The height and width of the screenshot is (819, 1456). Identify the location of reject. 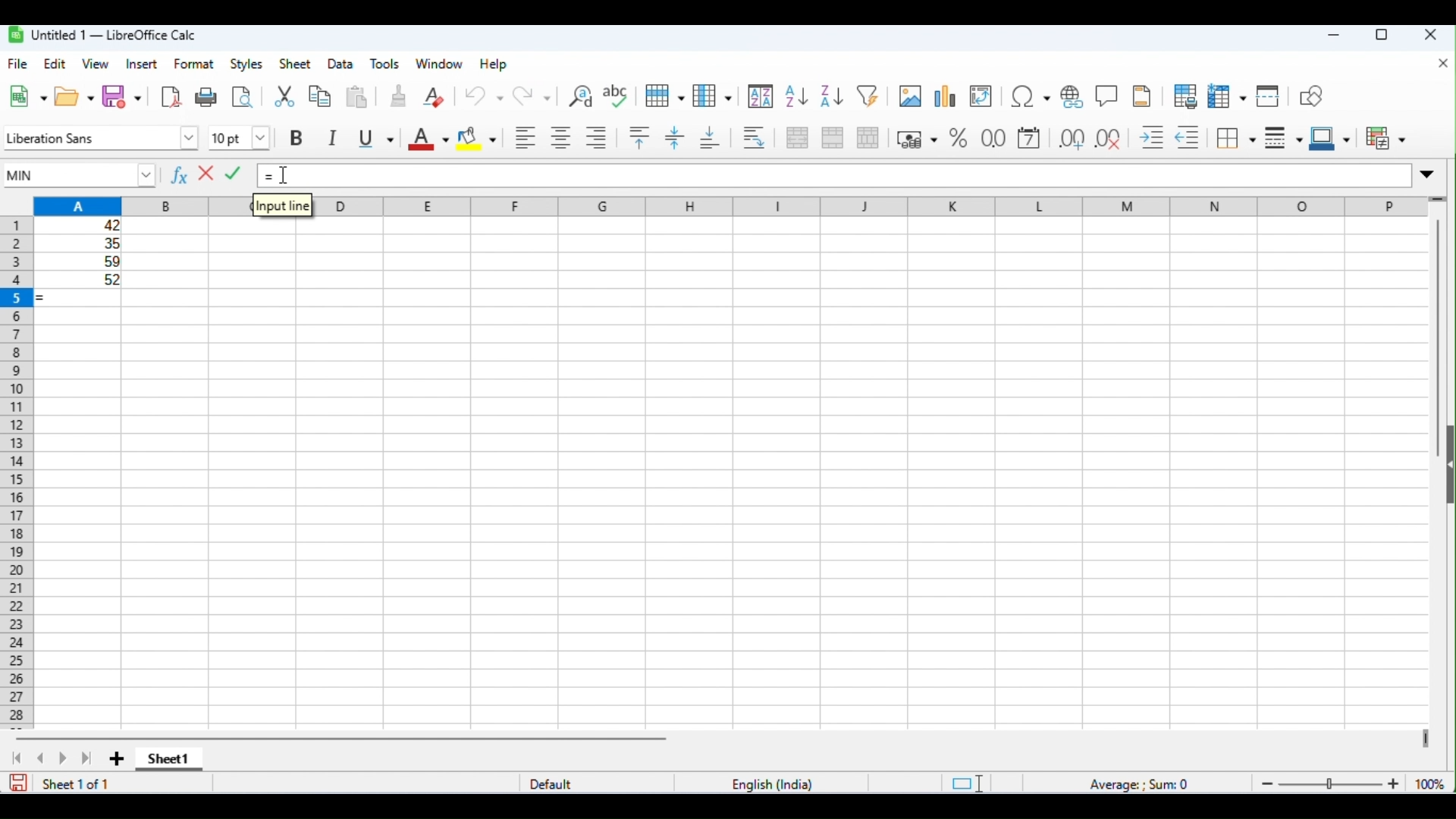
(208, 174).